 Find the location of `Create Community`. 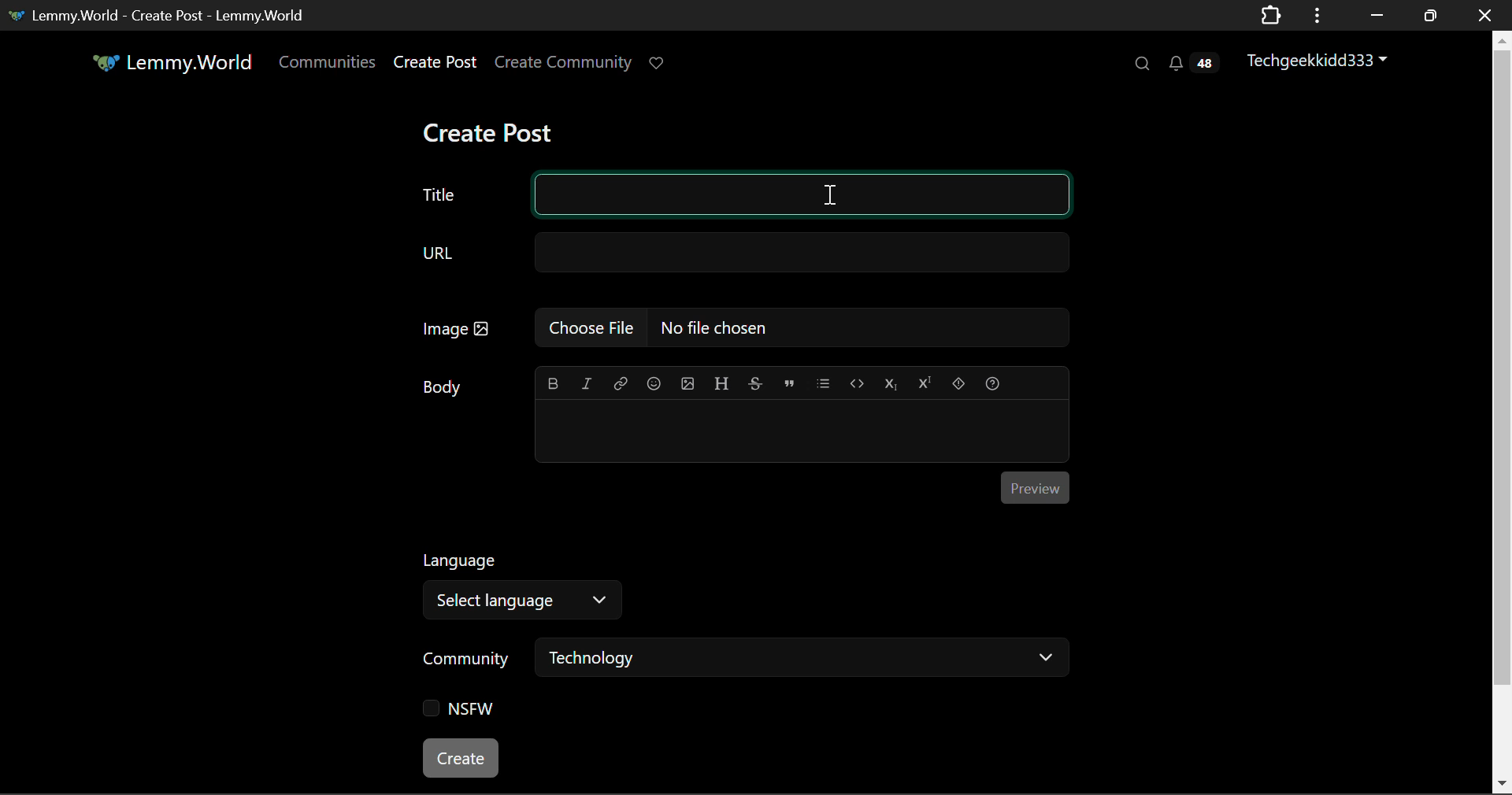

Create Community is located at coordinates (563, 65).